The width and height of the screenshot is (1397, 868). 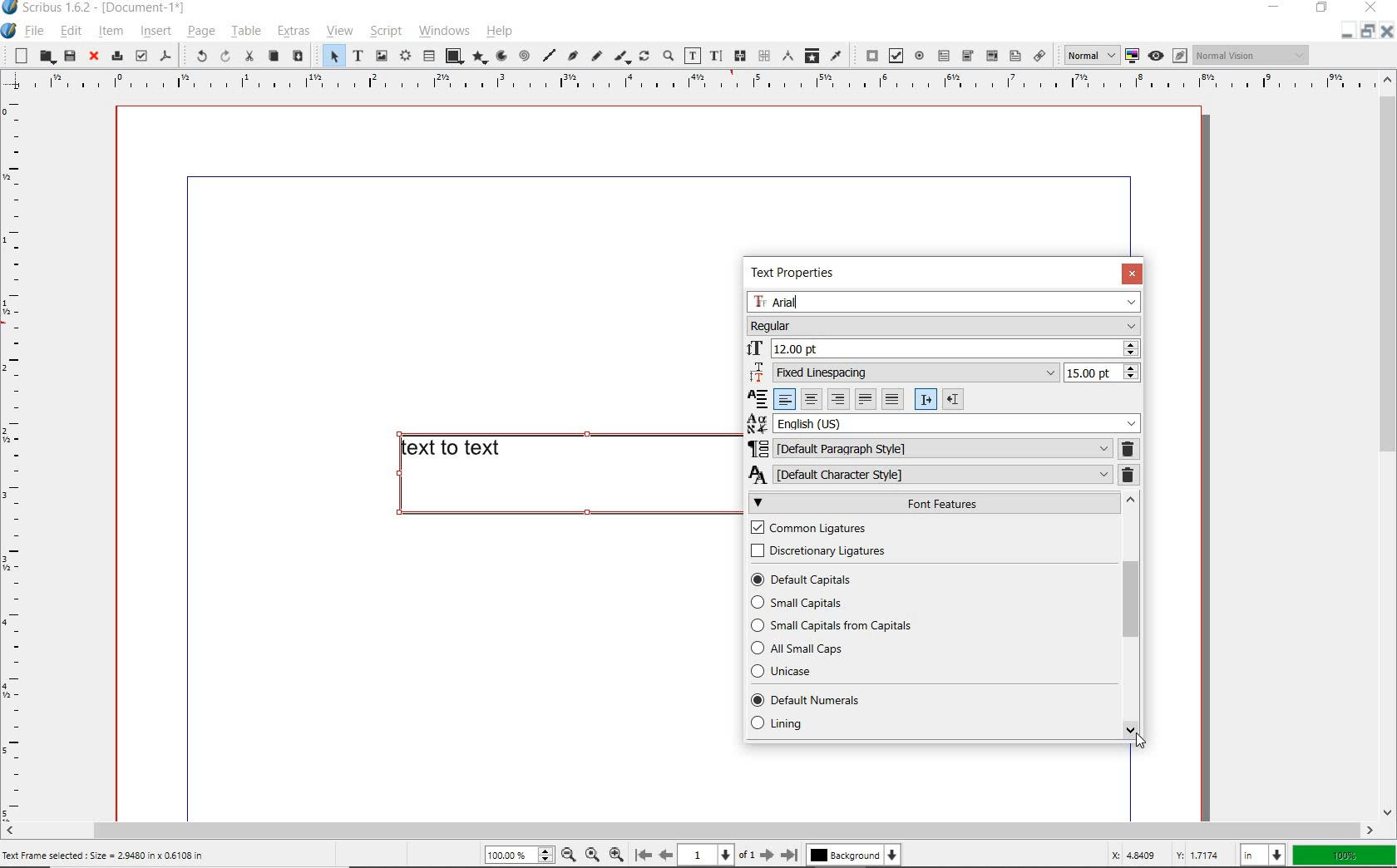 What do you see at coordinates (926, 401) in the screenshot?
I see `Left to right paragraph` at bounding box center [926, 401].